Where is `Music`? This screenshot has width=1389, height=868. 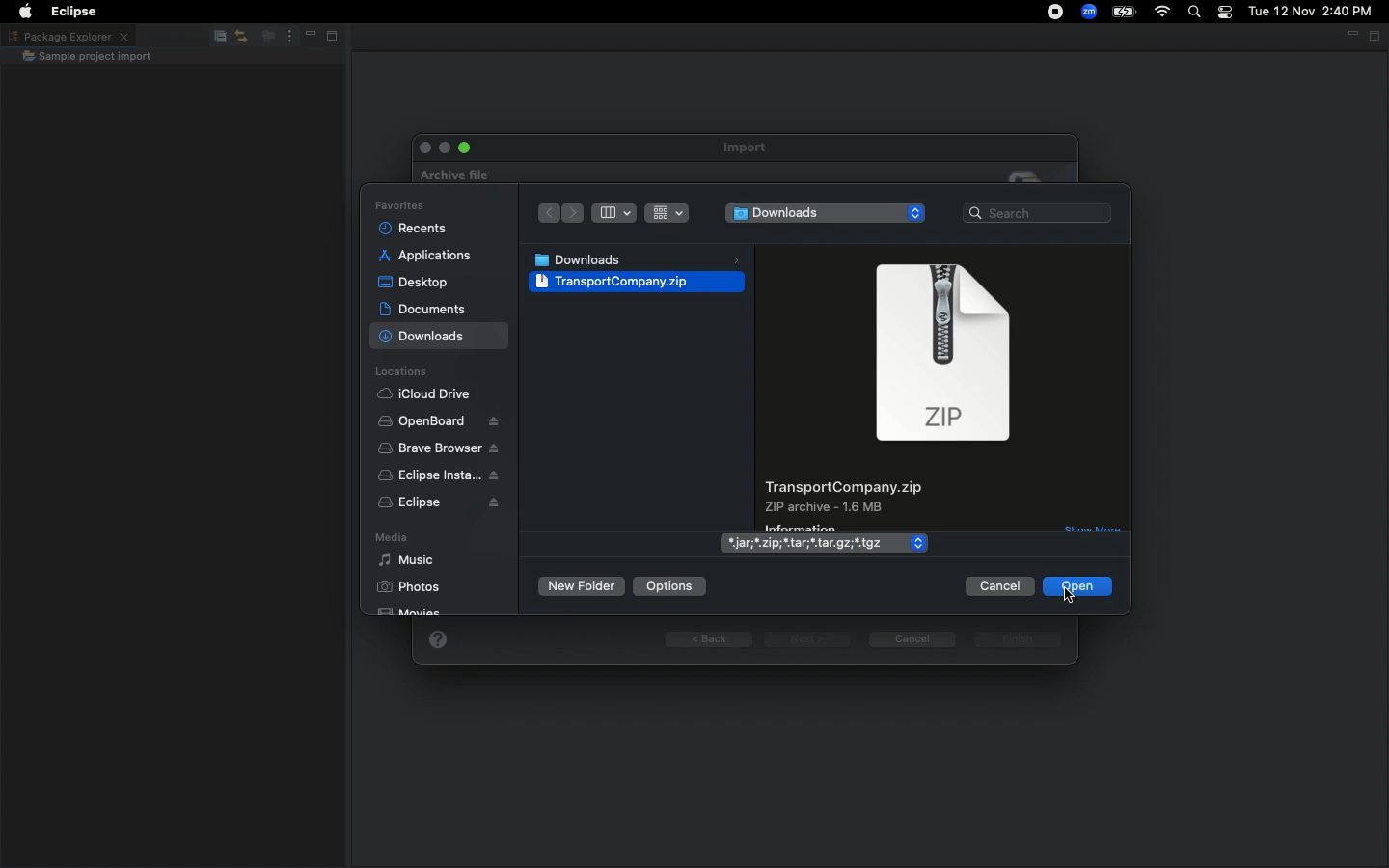 Music is located at coordinates (407, 561).